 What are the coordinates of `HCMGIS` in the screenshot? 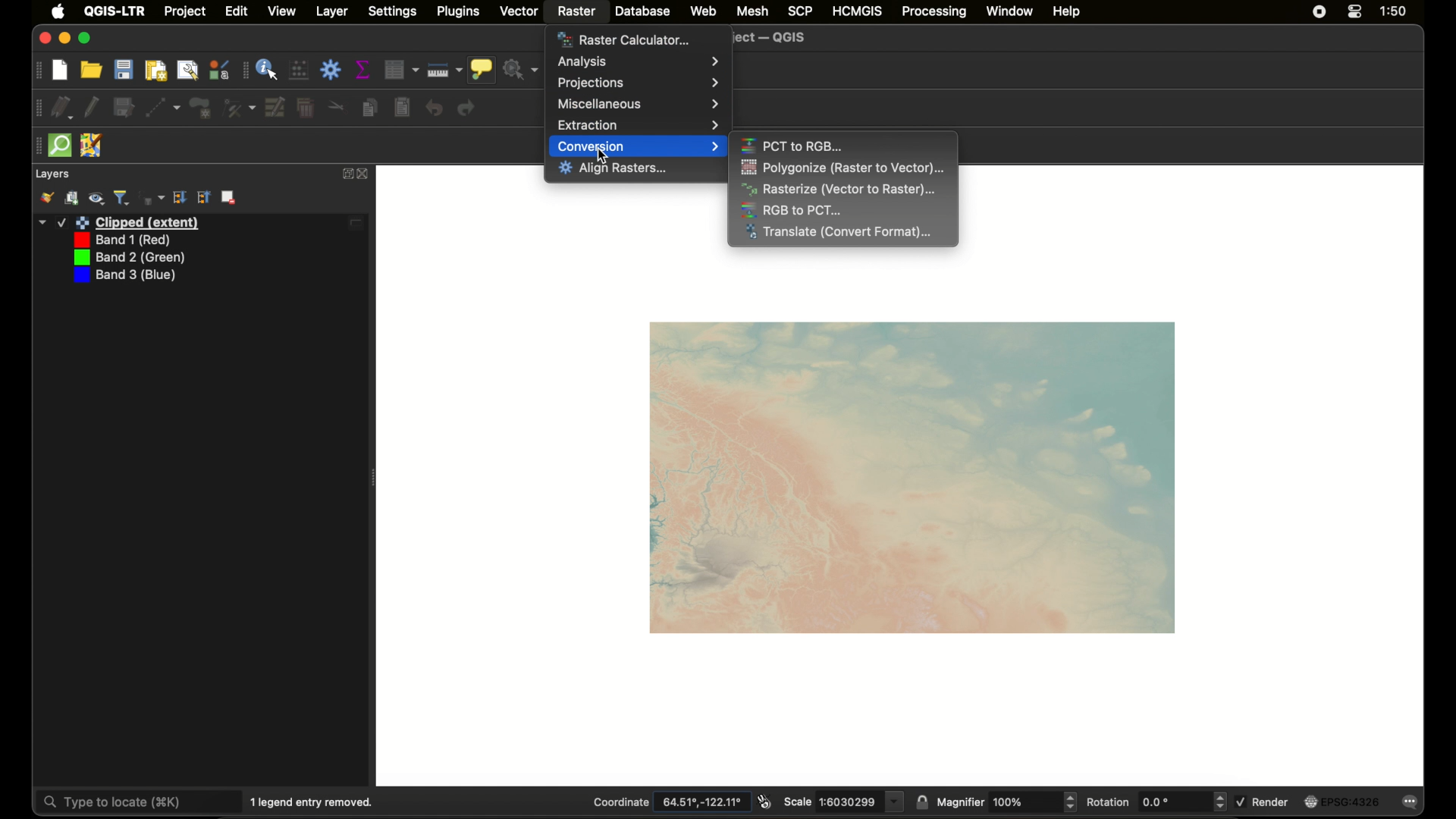 It's located at (857, 11).